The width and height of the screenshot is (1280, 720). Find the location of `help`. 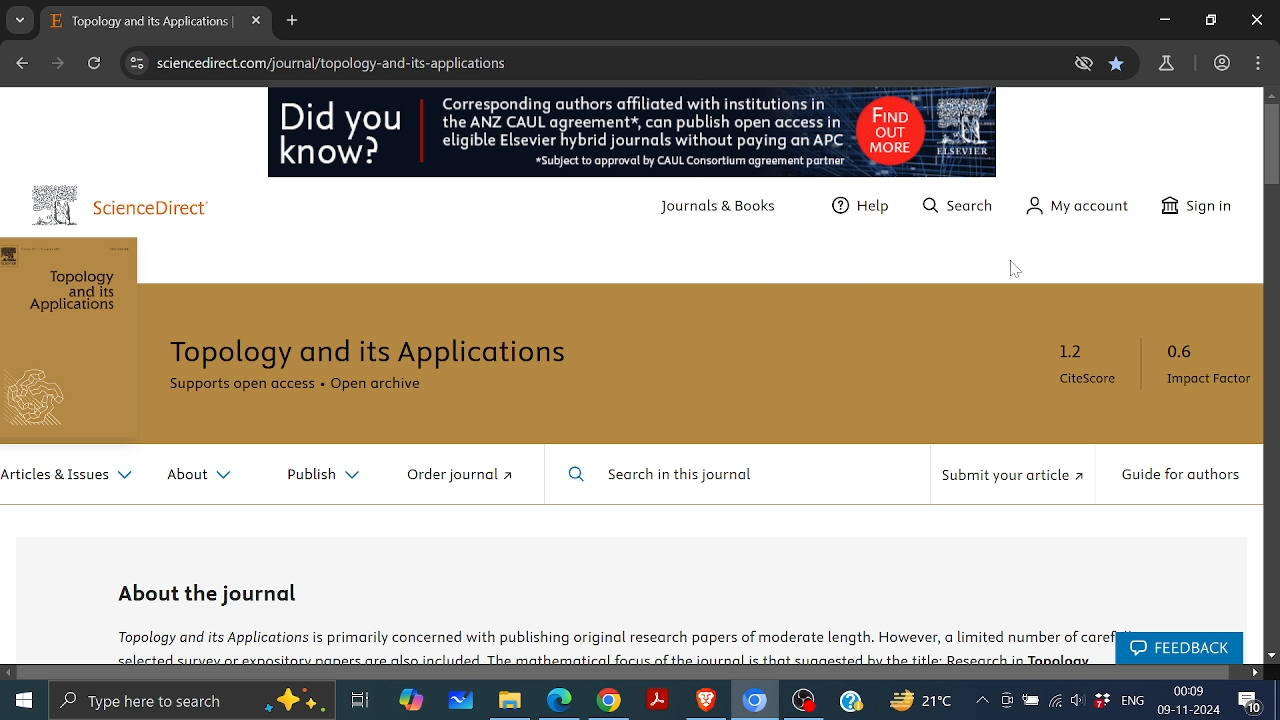

help is located at coordinates (864, 211).